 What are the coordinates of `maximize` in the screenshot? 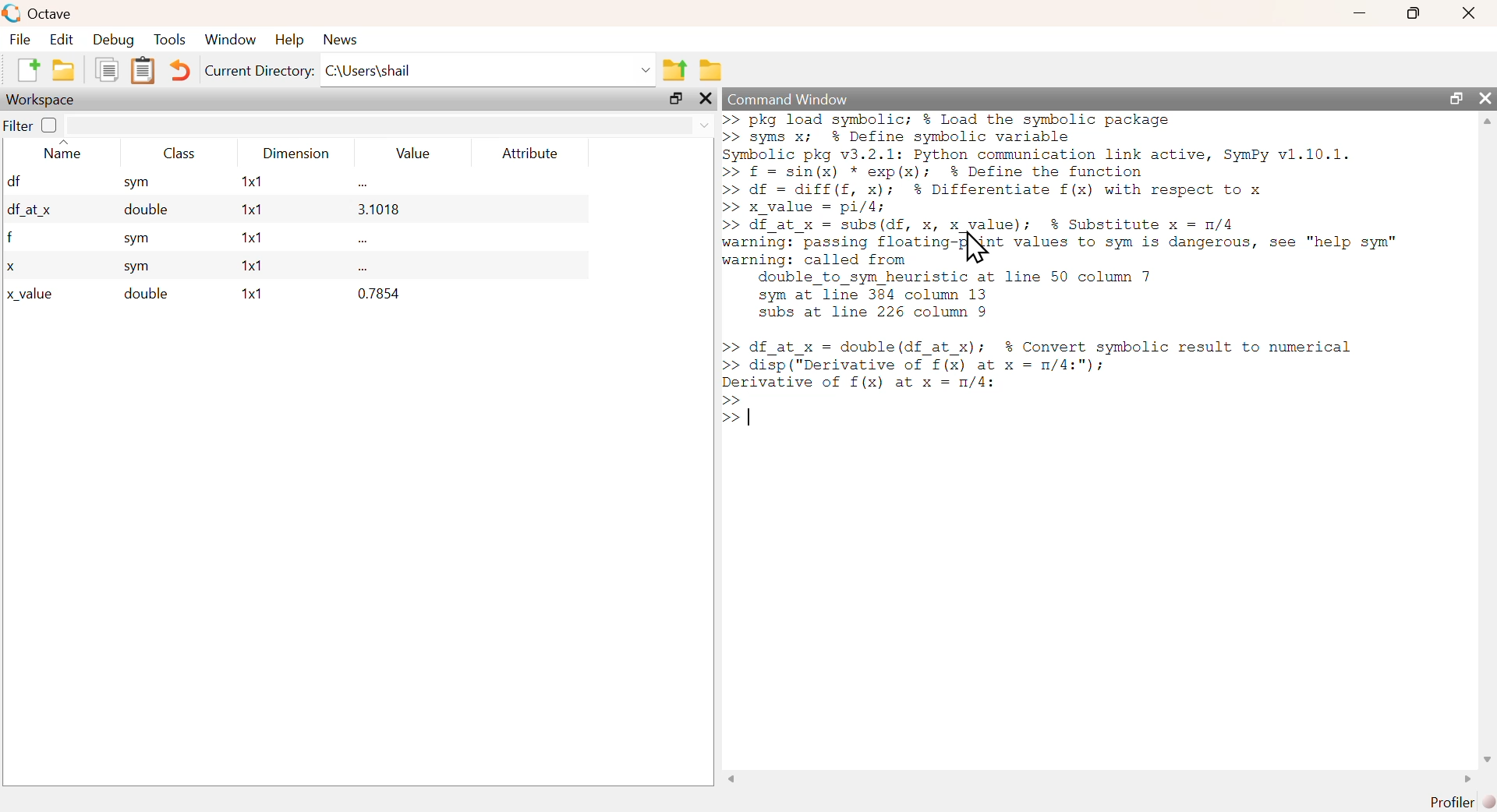 It's located at (1455, 97).